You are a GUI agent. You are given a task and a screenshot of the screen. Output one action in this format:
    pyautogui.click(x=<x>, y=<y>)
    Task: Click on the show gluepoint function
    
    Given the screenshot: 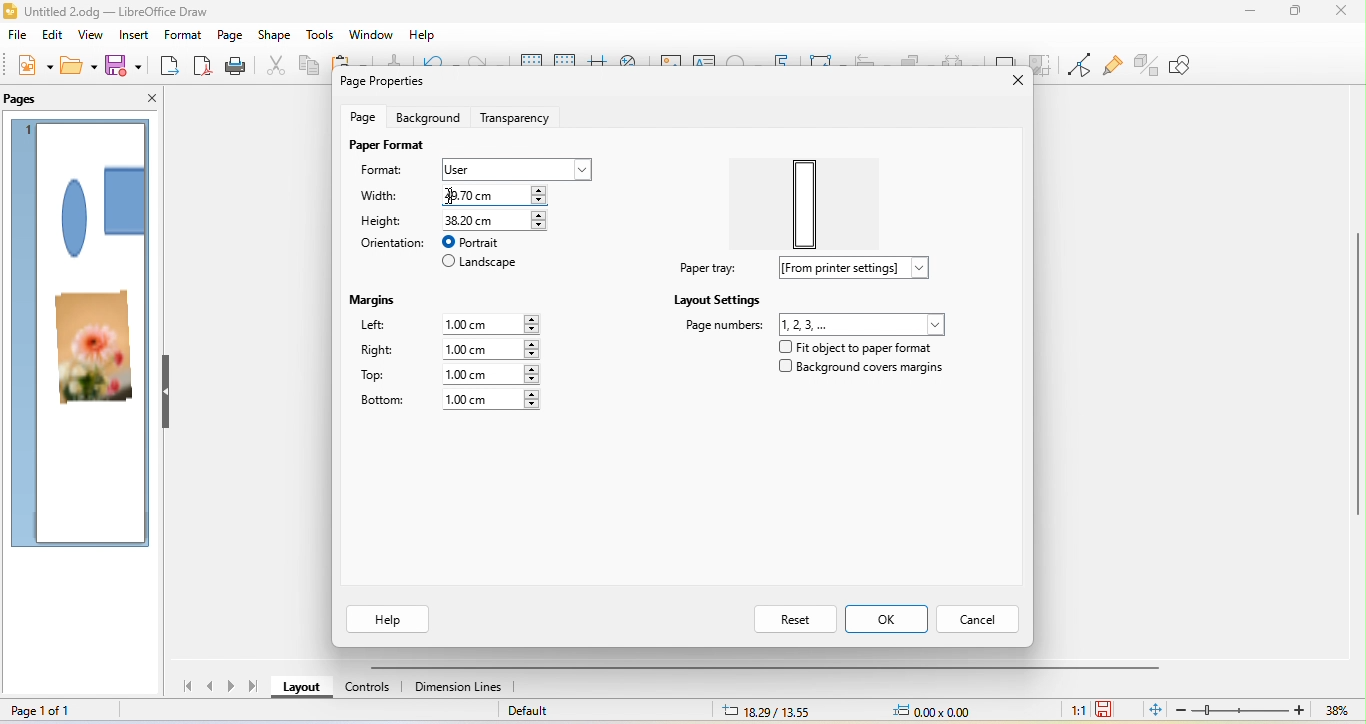 What is the action you would take?
    pyautogui.click(x=1114, y=63)
    